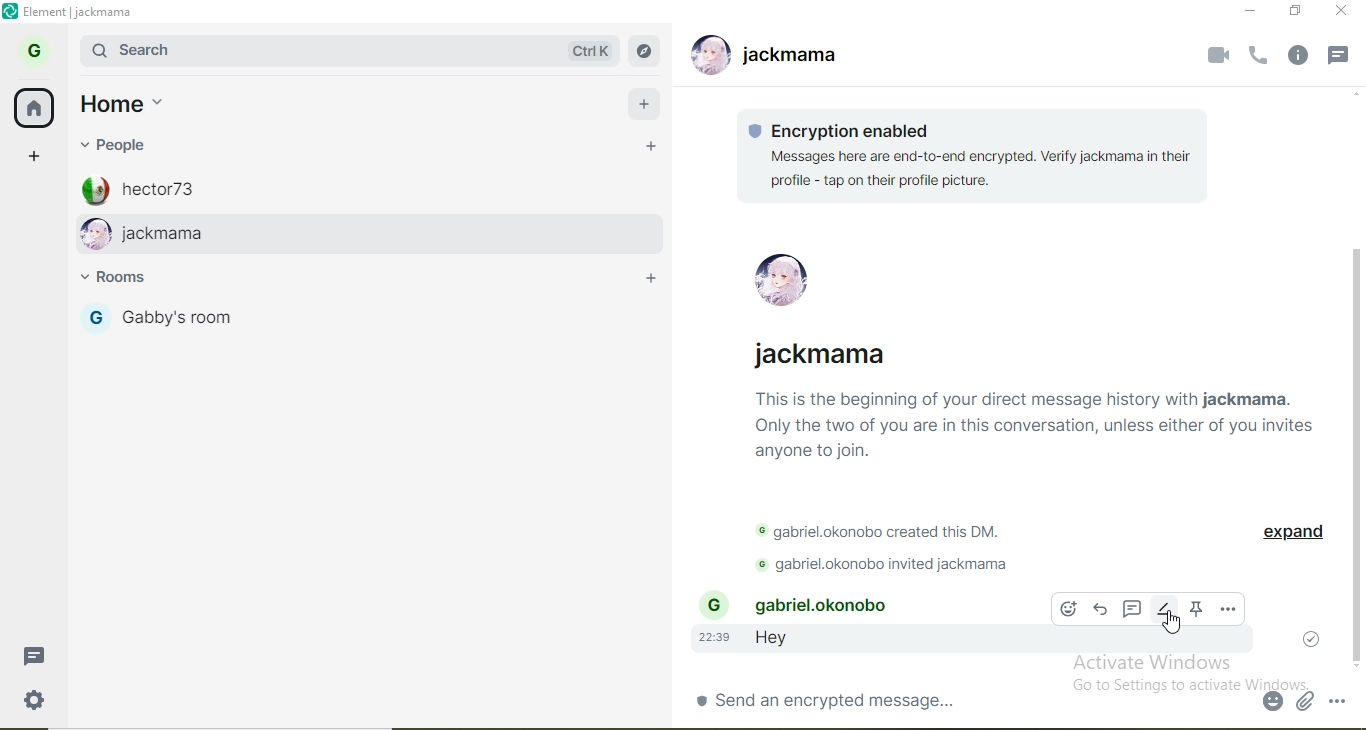  What do you see at coordinates (28, 159) in the screenshot?
I see `add space` at bounding box center [28, 159].